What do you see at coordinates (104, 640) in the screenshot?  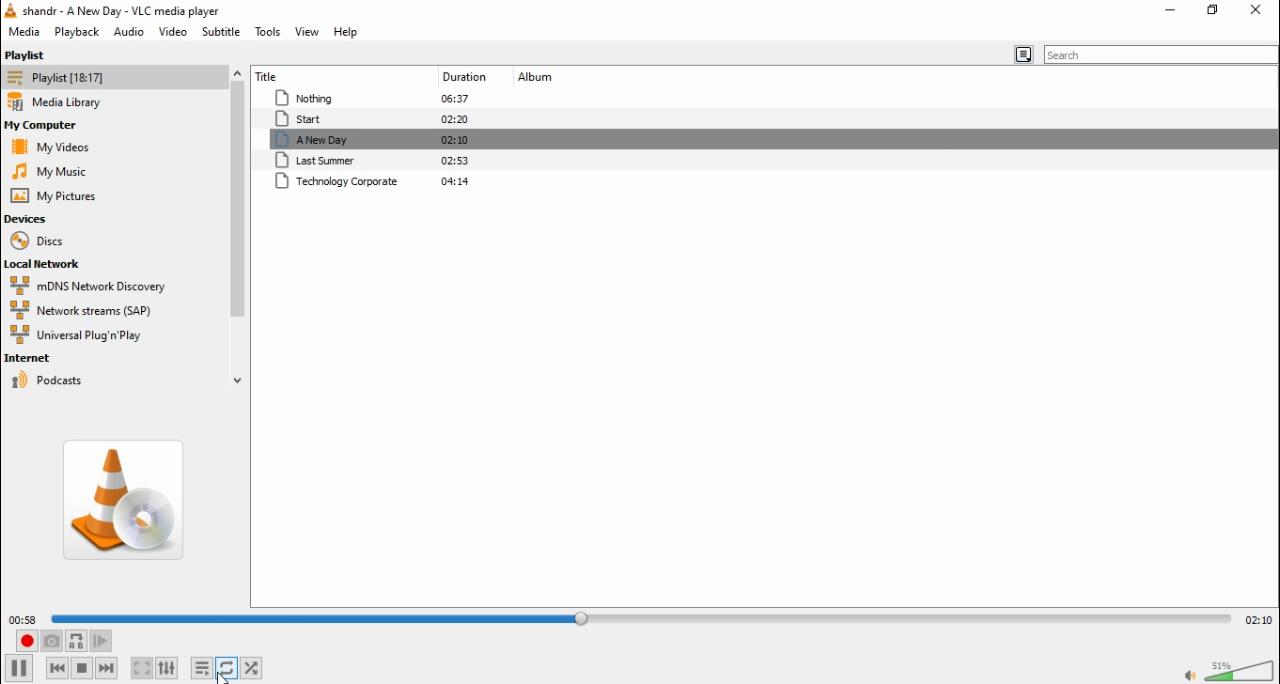 I see `frame by frame` at bounding box center [104, 640].